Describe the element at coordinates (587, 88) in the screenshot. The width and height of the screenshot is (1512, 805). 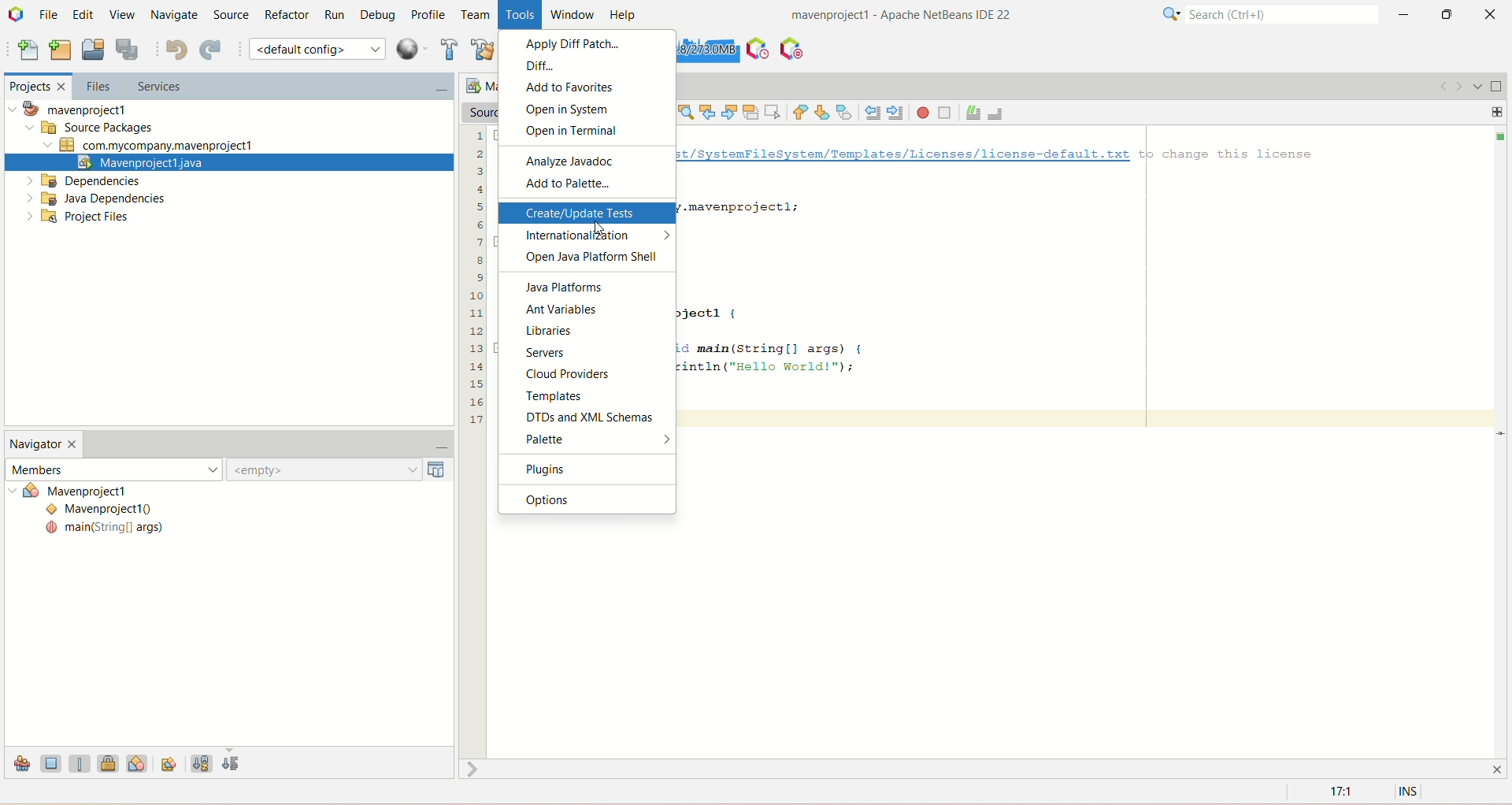
I see `add to favorites` at that location.